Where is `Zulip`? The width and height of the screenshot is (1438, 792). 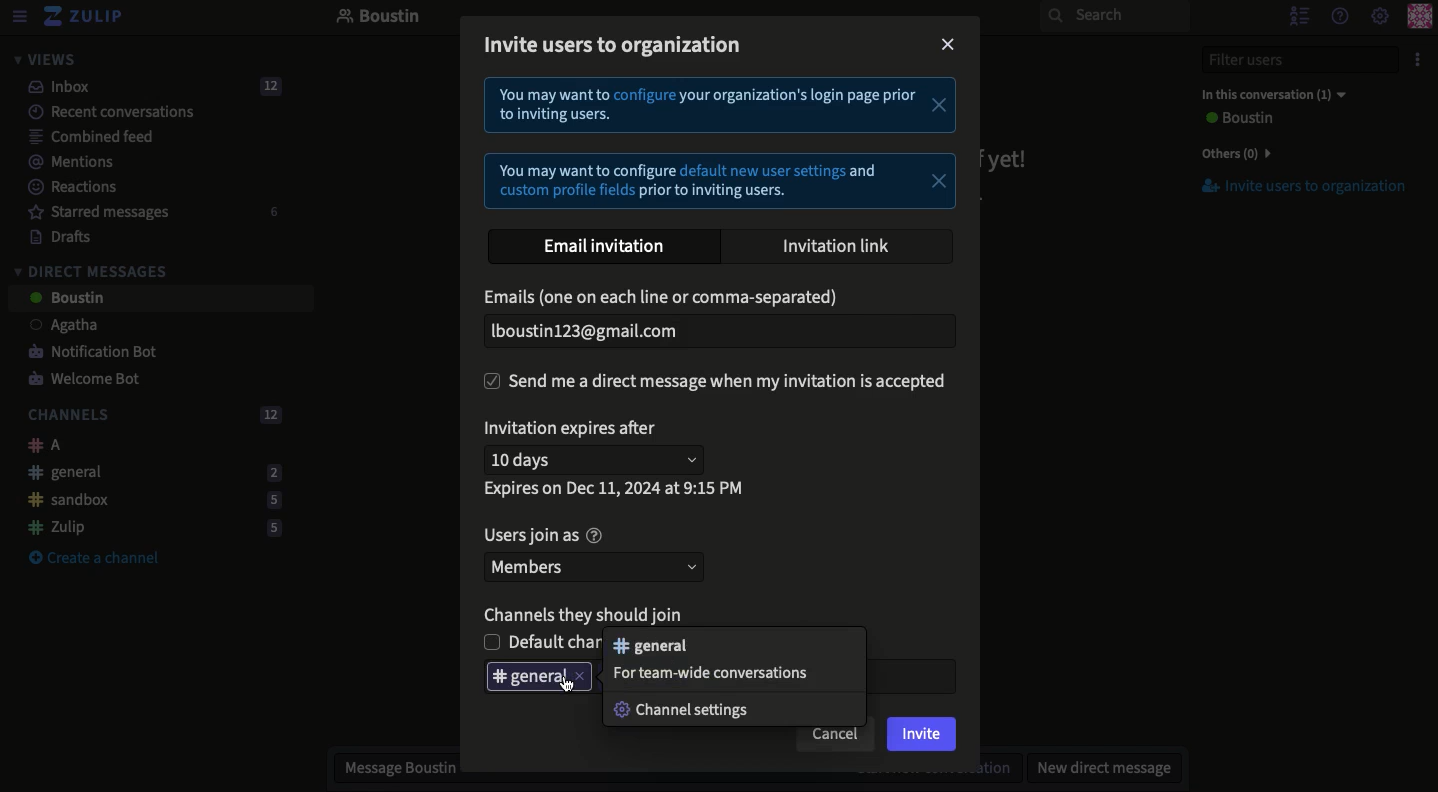
Zulip is located at coordinates (85, 17).